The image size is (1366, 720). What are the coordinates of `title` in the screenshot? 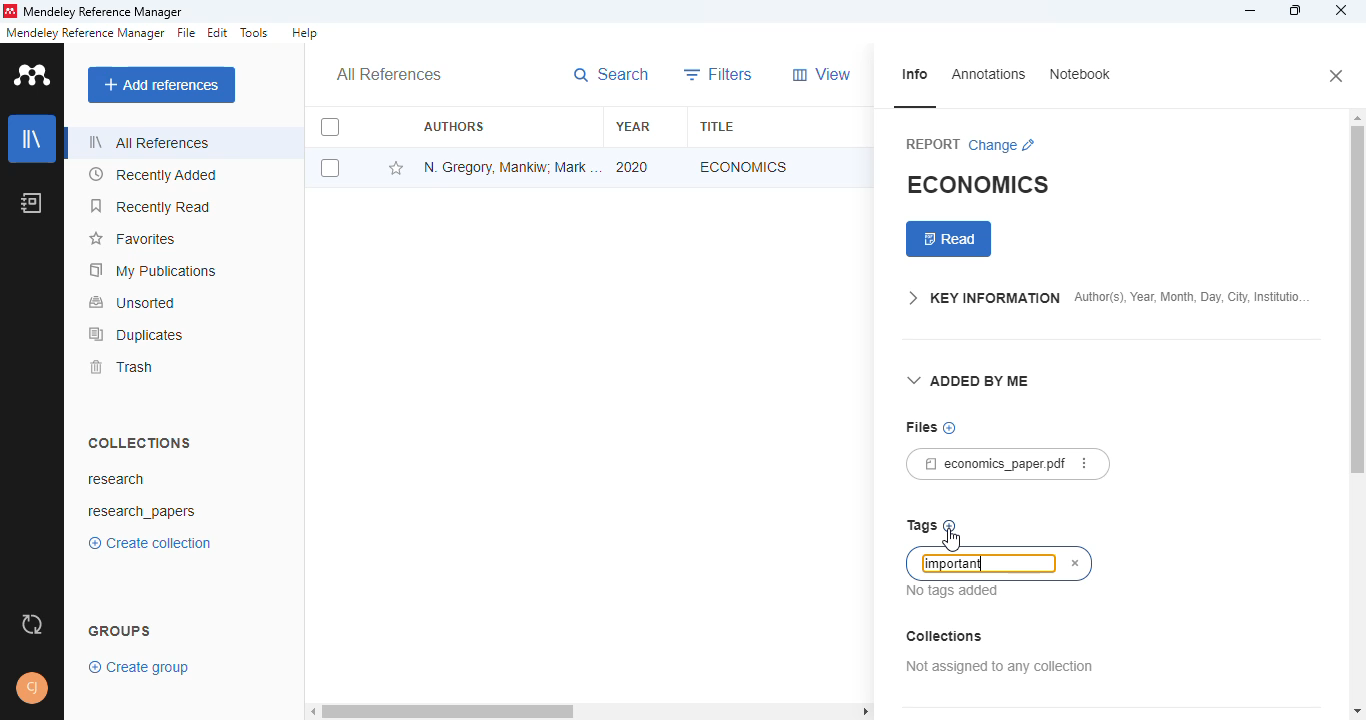 It's located at (716, 127).